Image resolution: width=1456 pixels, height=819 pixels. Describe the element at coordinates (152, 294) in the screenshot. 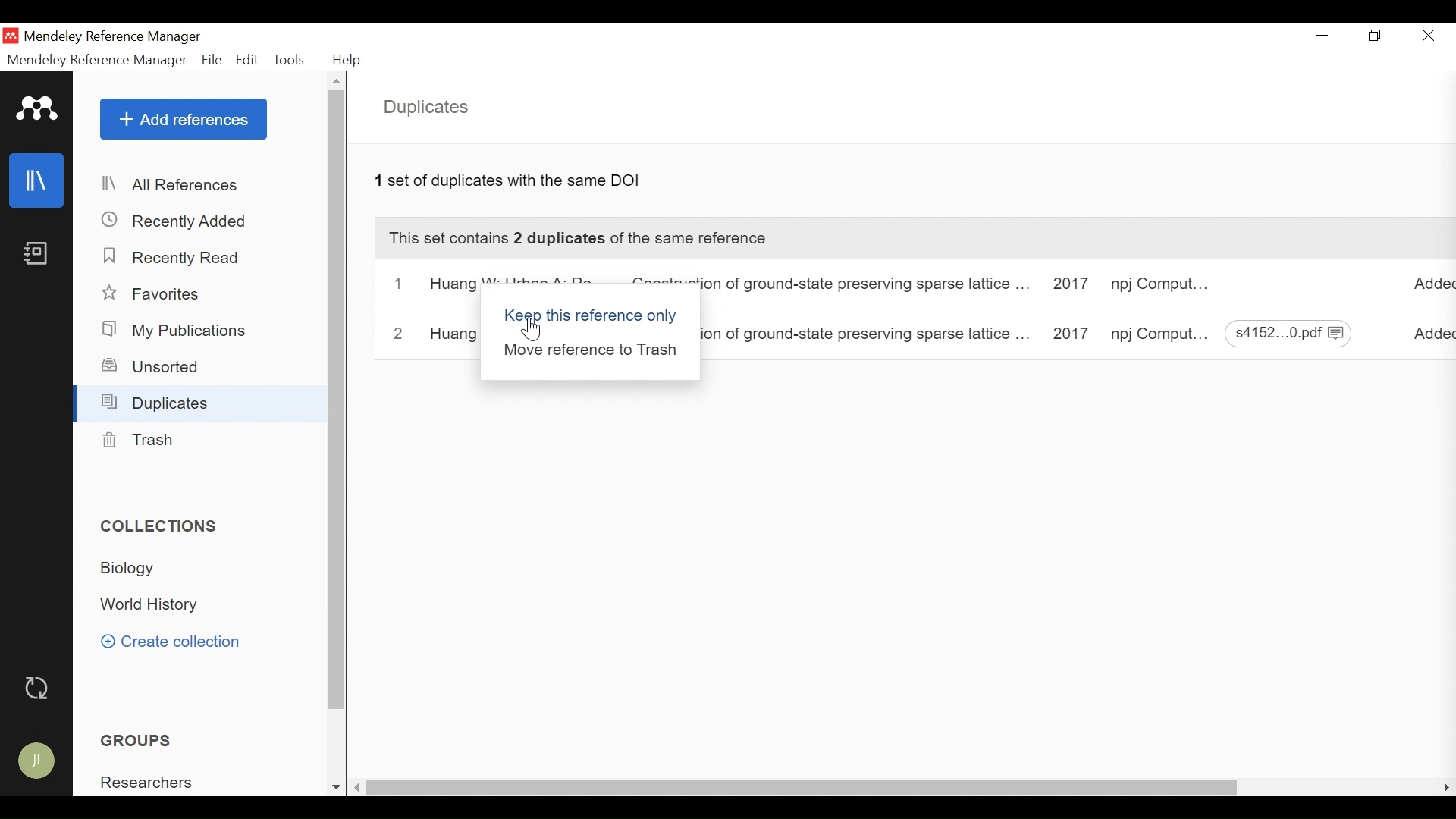

I see `Favorites` at that location.